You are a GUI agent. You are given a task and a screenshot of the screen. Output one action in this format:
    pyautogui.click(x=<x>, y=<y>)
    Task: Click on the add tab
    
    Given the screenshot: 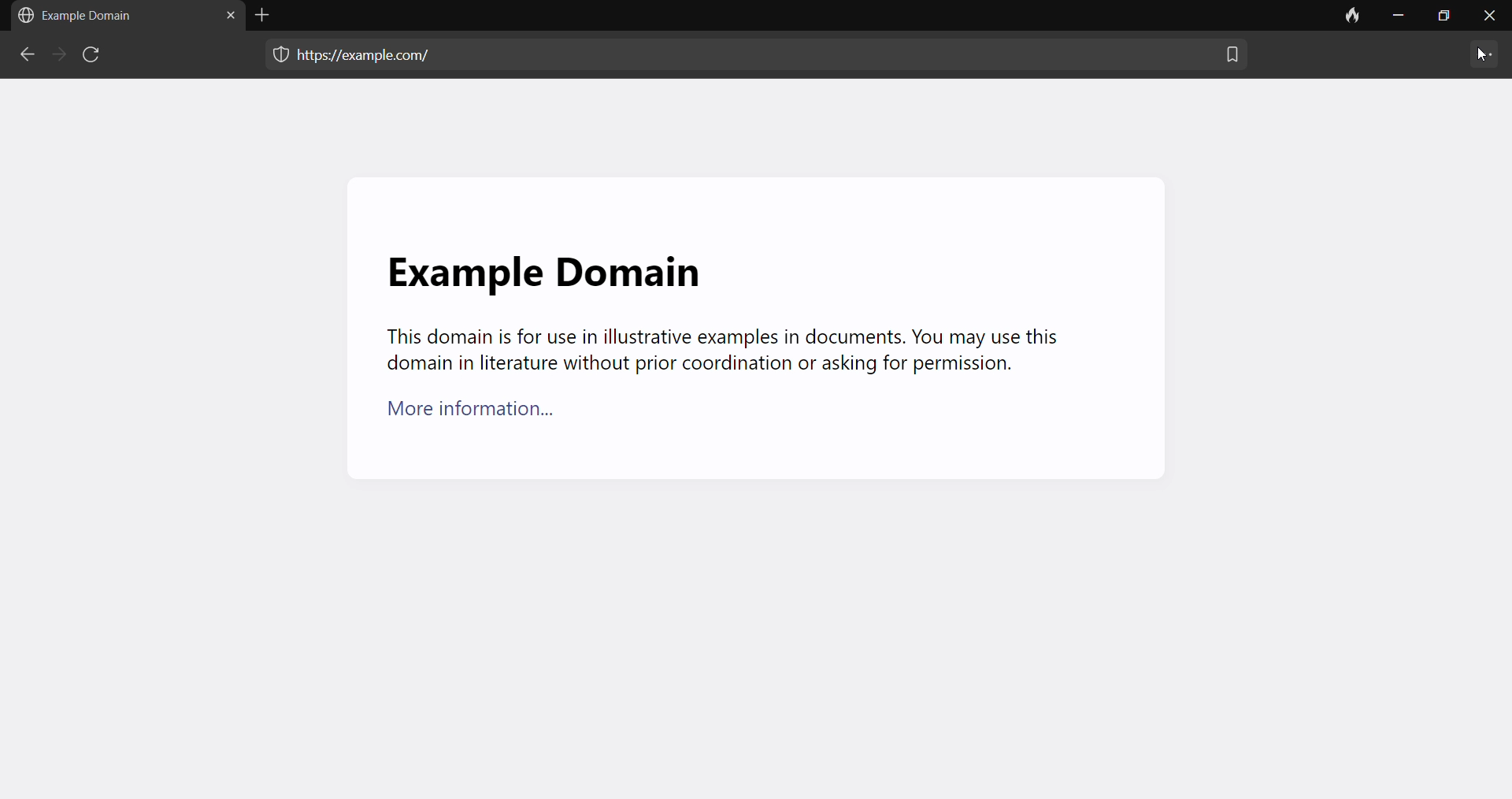 What is the action you would take?
    pyautogui.click(x=266, y=15)
    